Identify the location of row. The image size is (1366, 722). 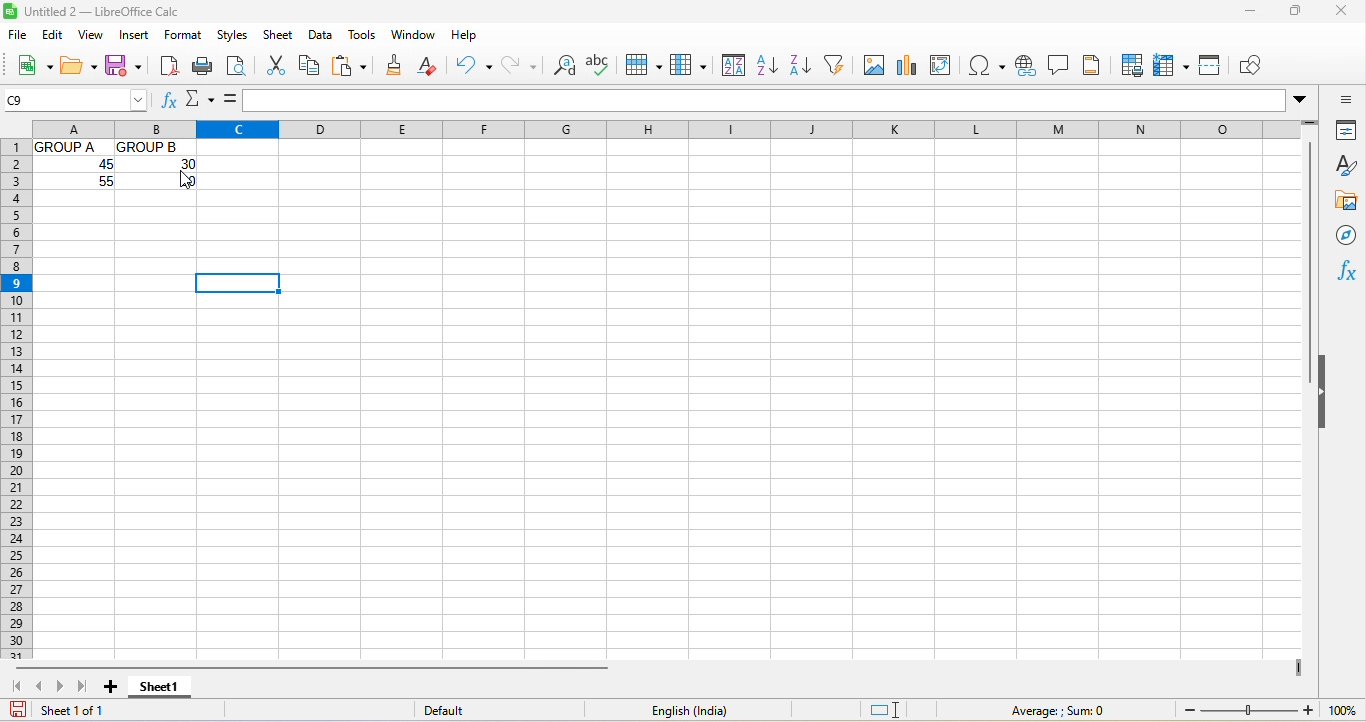
(645, 64).